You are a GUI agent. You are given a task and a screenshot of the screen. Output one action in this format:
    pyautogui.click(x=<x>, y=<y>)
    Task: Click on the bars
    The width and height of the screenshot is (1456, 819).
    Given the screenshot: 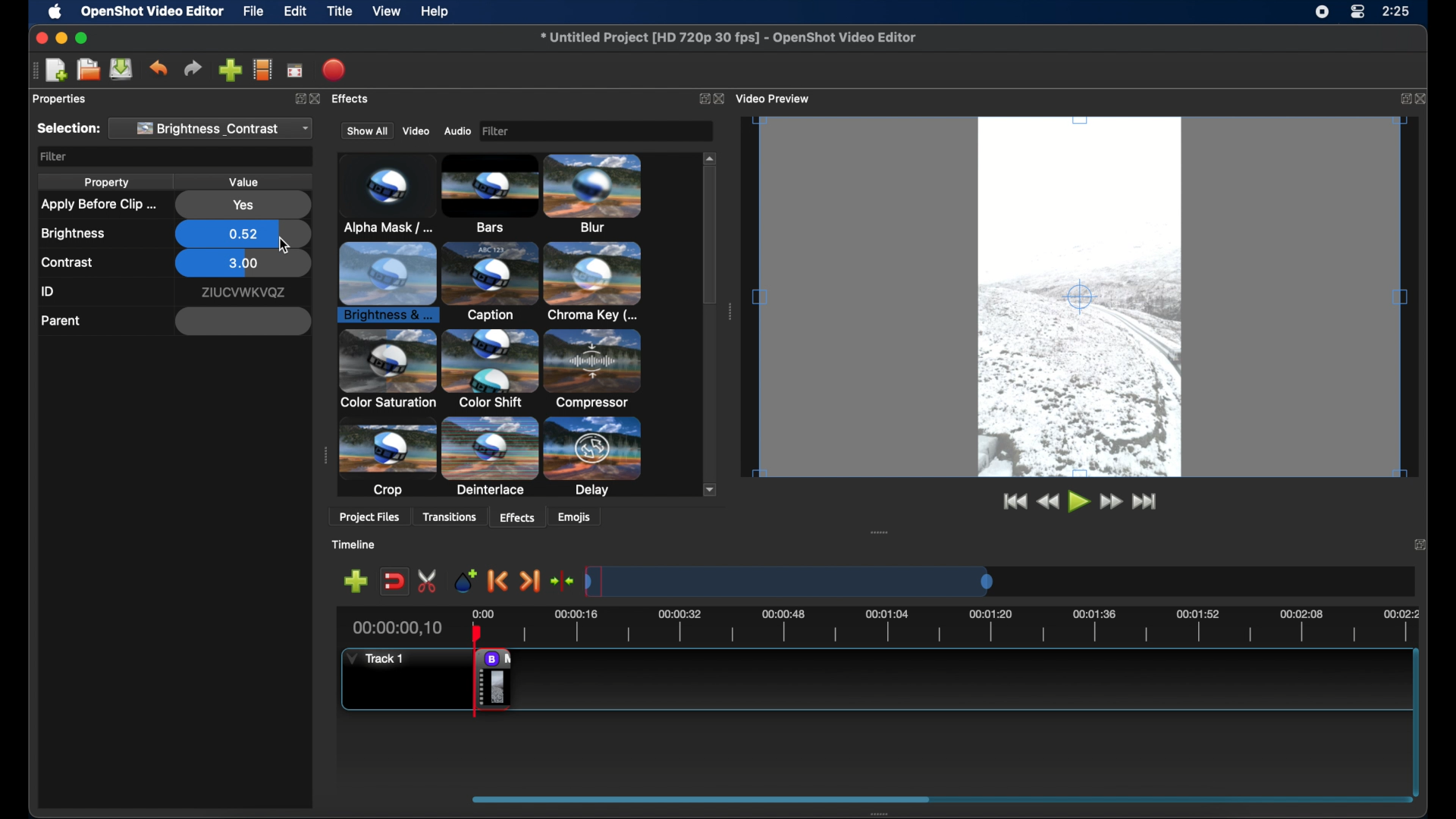 What is the action you would take?
    pyautogui.click(x=379, y=195)
    